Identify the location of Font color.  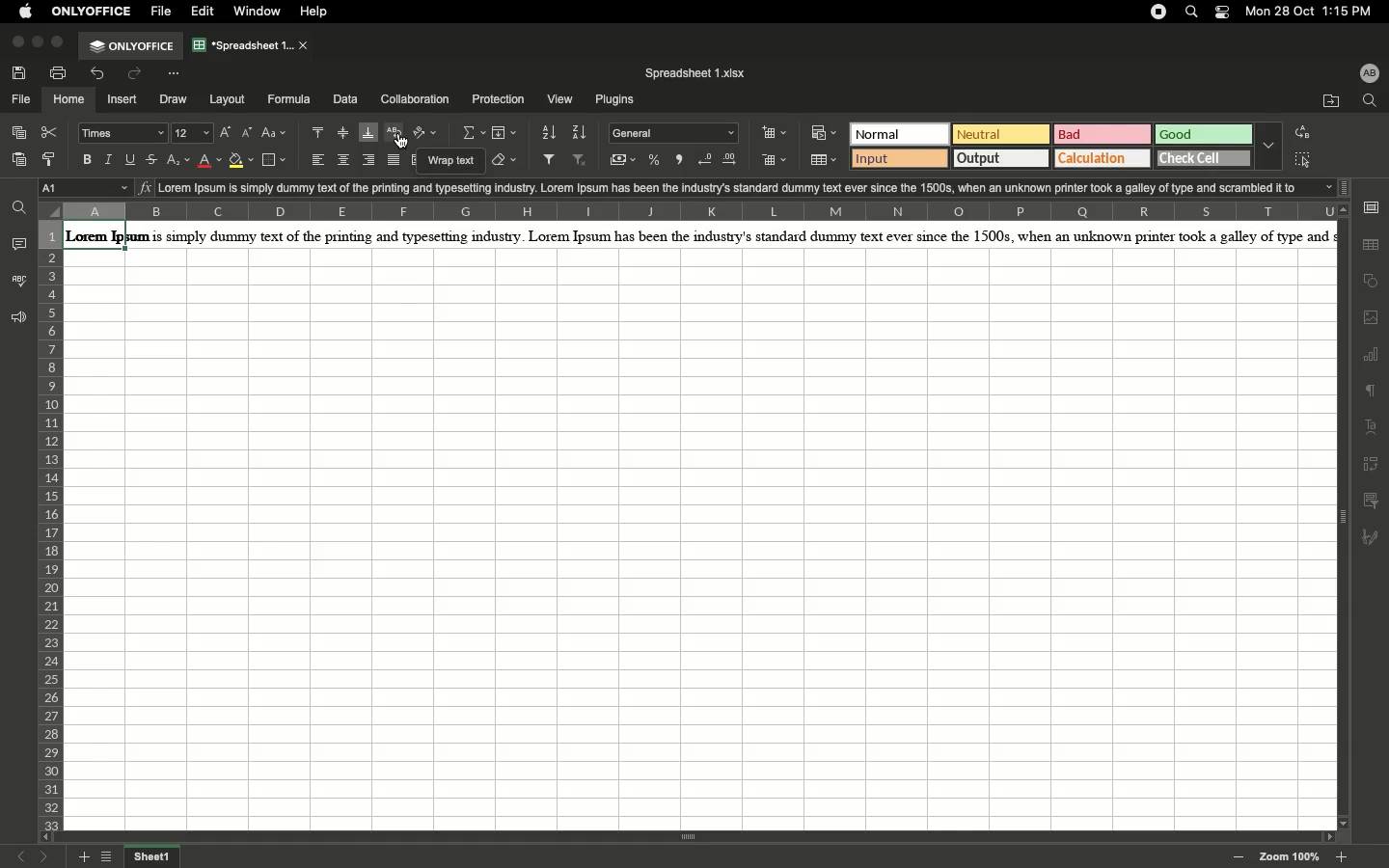
(210, 160).